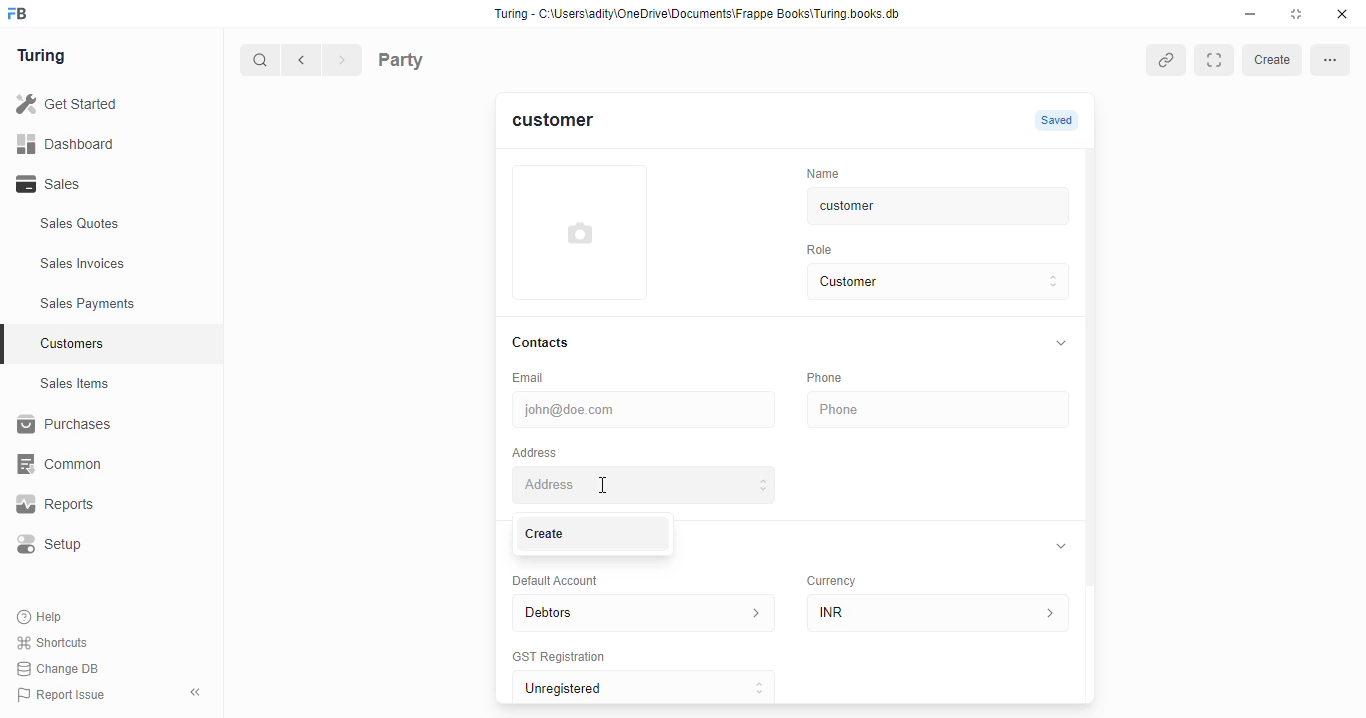 This screenshot has height=718, width=1366. I want to click on maximise, so click(1300, 14).